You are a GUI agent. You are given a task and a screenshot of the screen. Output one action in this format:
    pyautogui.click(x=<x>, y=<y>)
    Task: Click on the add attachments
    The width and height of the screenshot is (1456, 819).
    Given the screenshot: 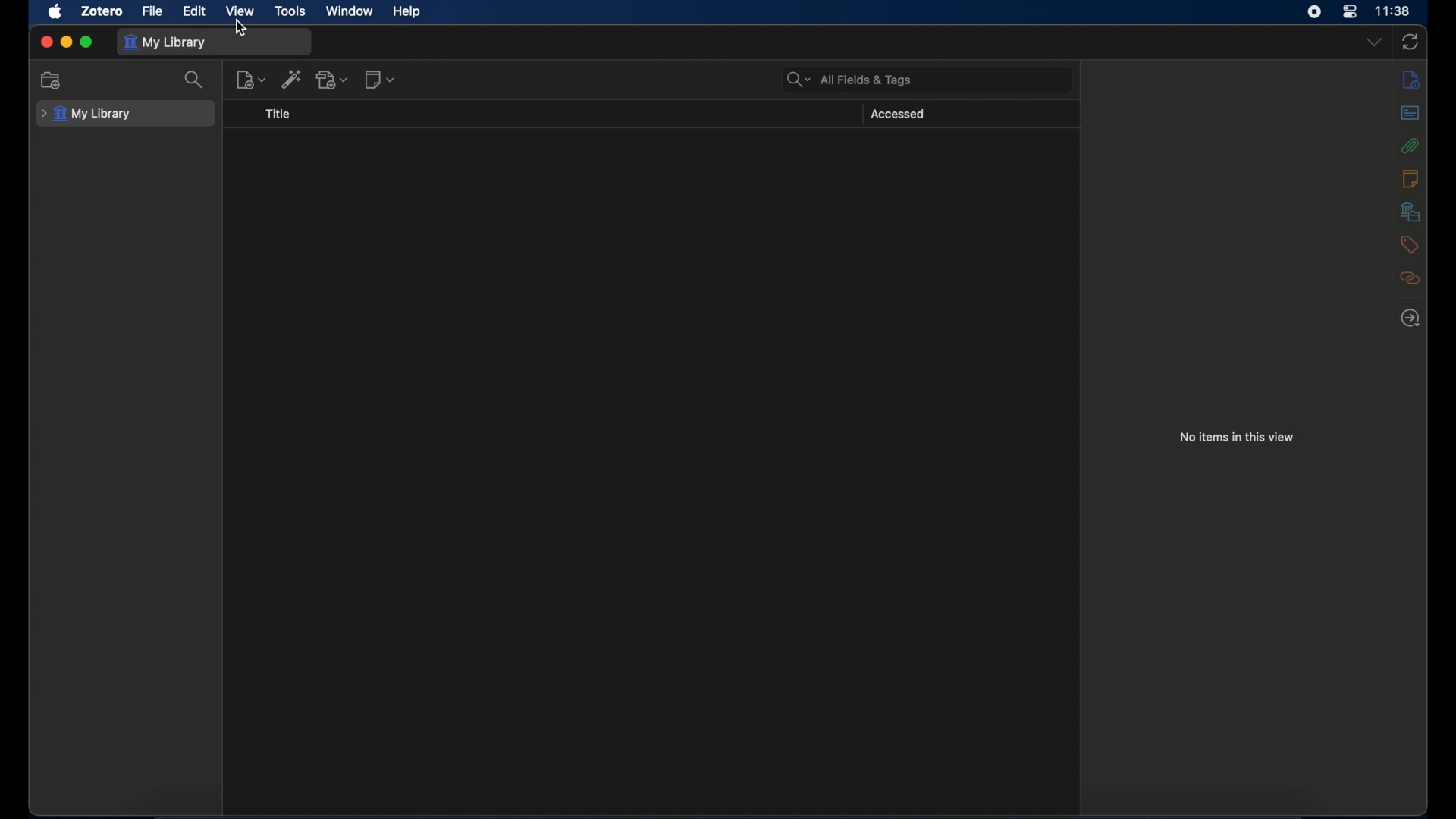 What is the action you would take?
    pyautogui.click(x=332, y=79)
    